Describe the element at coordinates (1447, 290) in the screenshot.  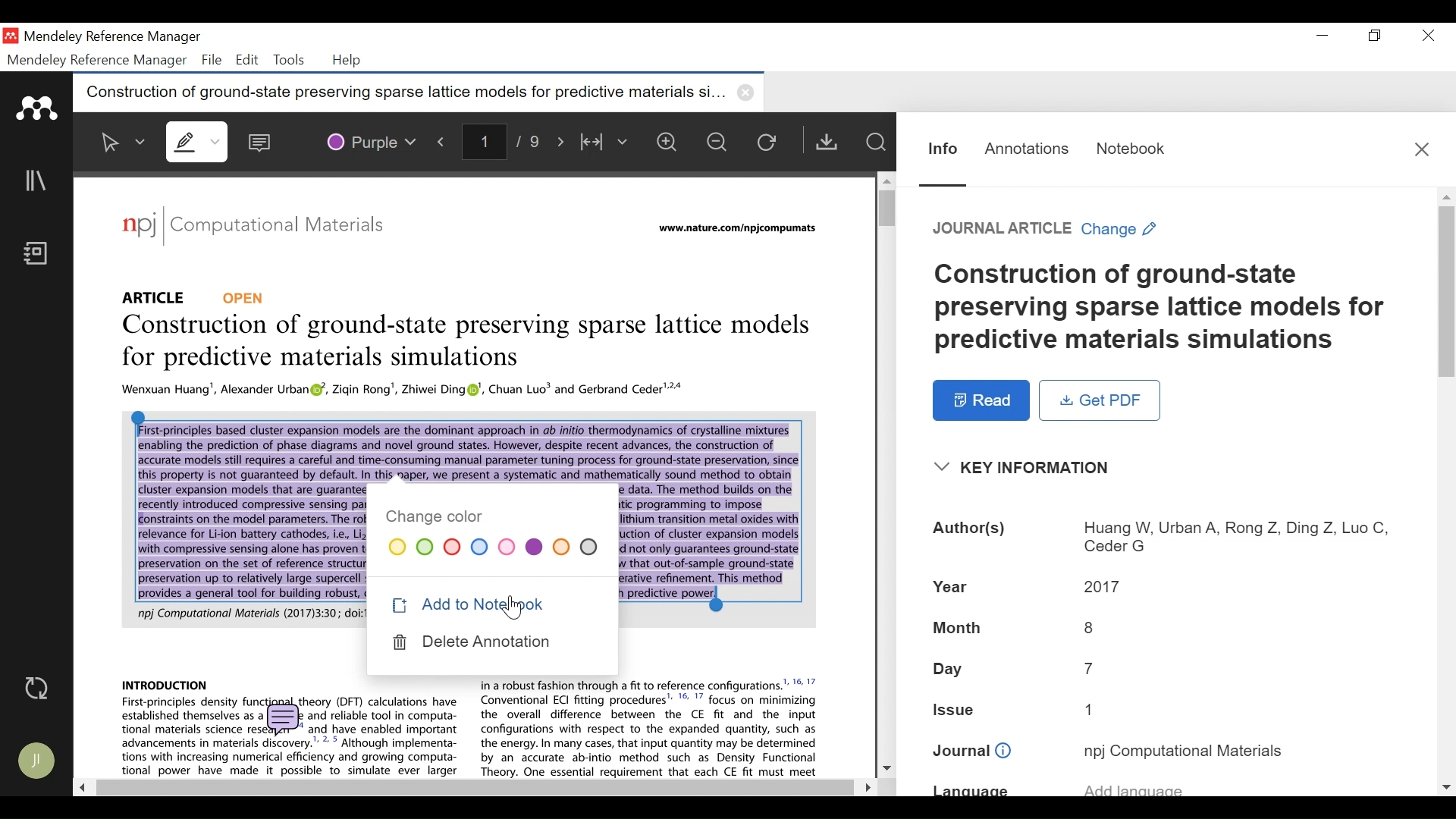
I see `Vertical Scroll bar` at that location.